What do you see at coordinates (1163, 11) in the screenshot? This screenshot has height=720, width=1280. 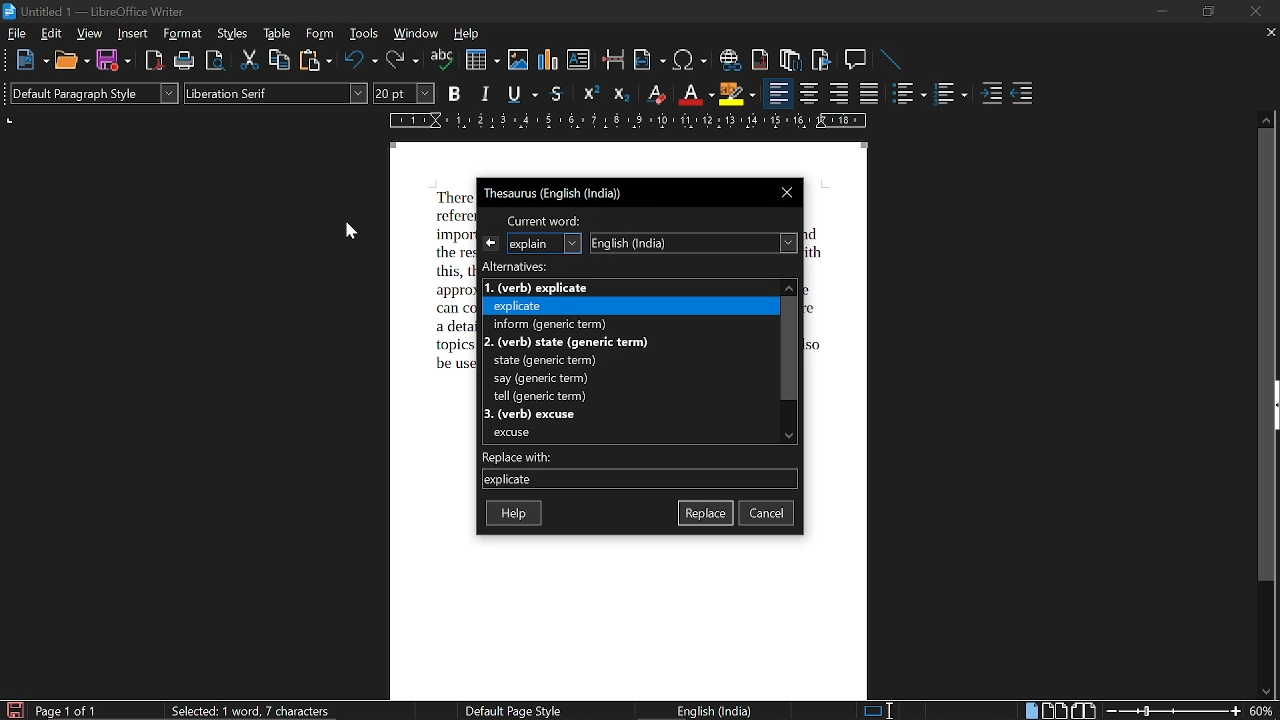 I see `minimize` at bounding box center [1163, 11].